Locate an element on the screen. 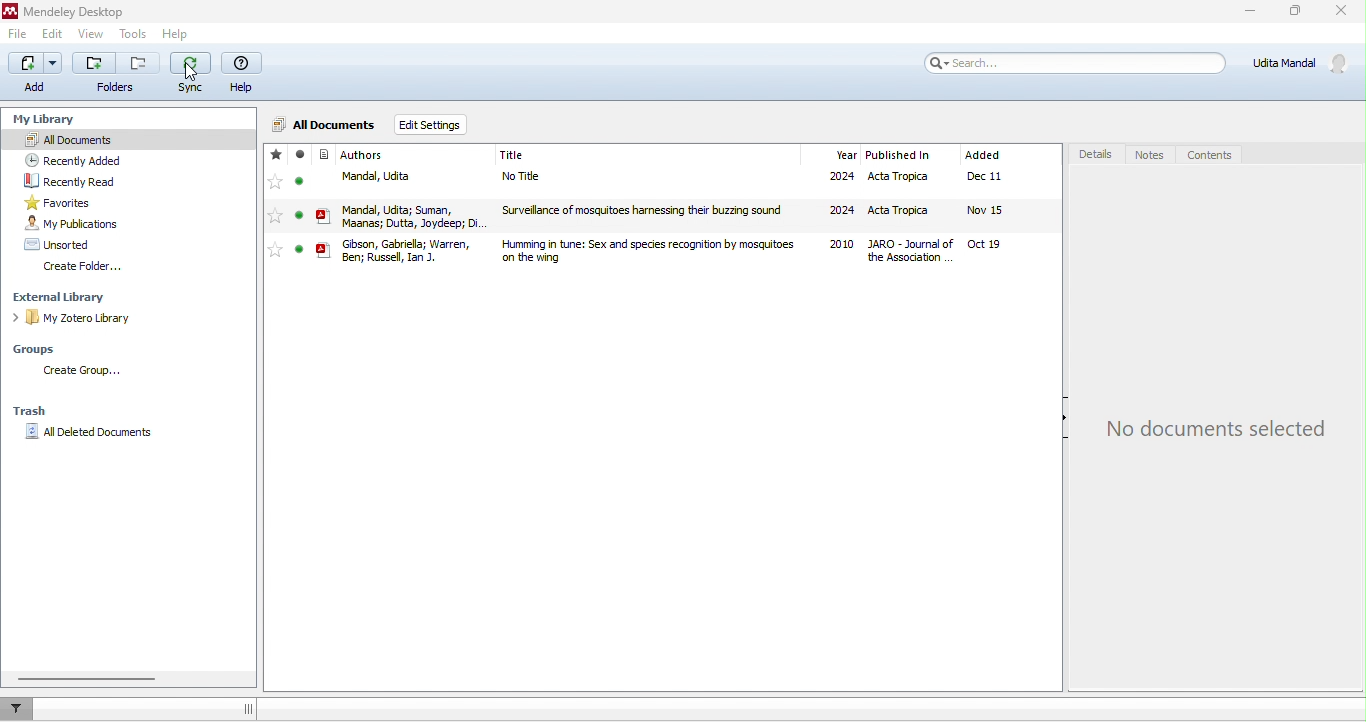  cursor  is located at coordinates (196, 73).